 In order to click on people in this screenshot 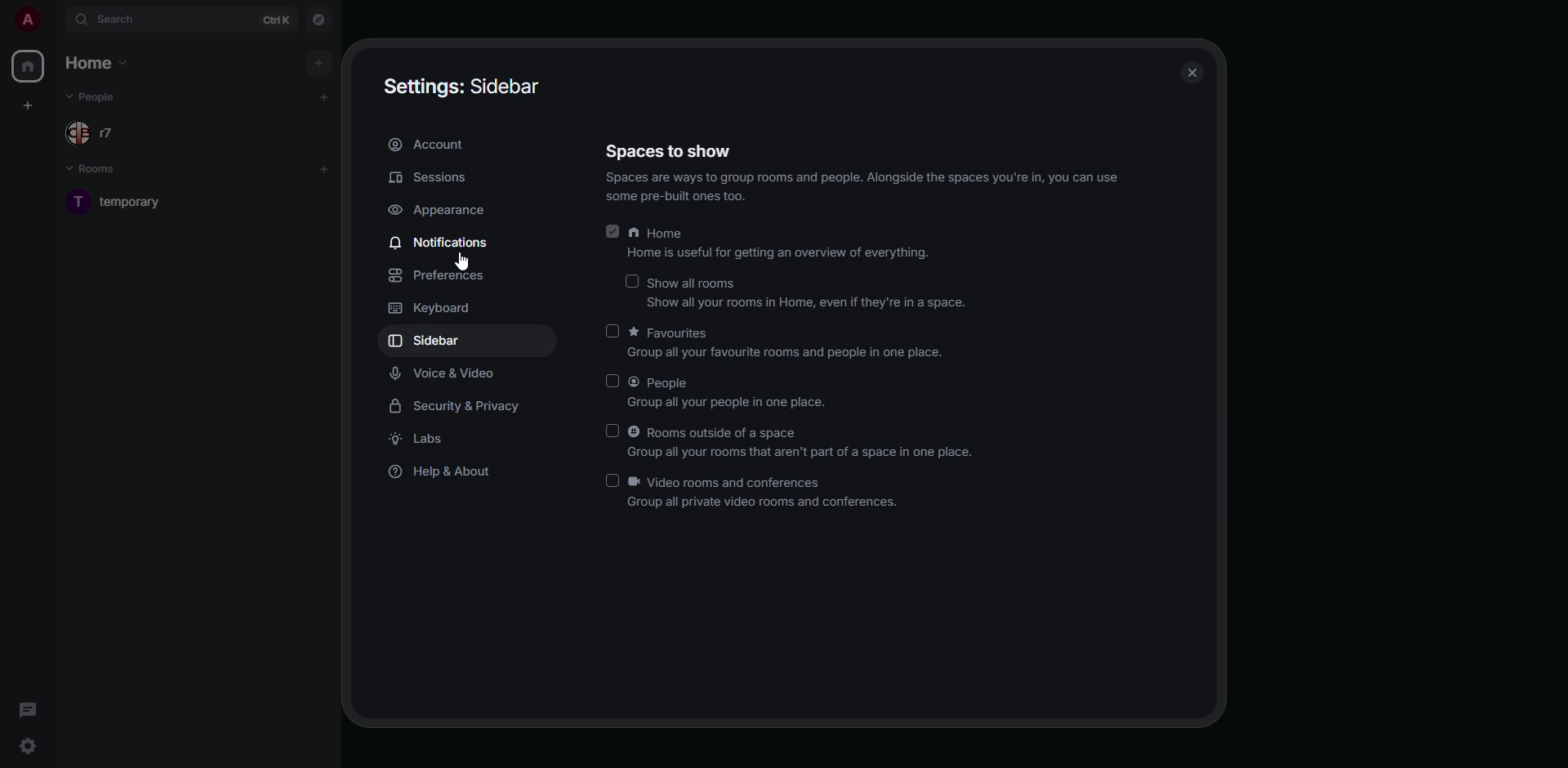, I will do `click(732, 393)`.